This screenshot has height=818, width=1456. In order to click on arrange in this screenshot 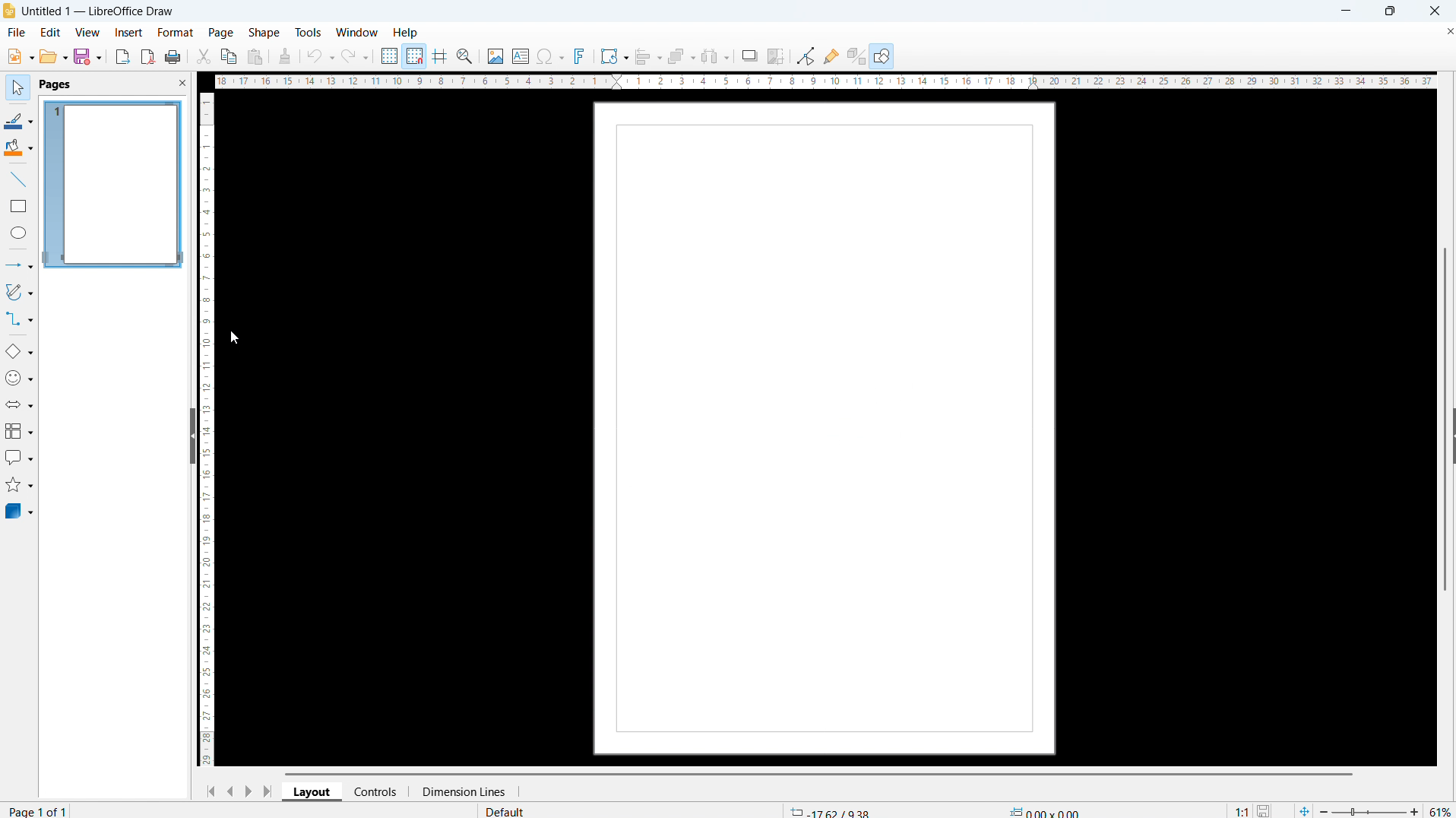, I will do `click(680, 56)`.